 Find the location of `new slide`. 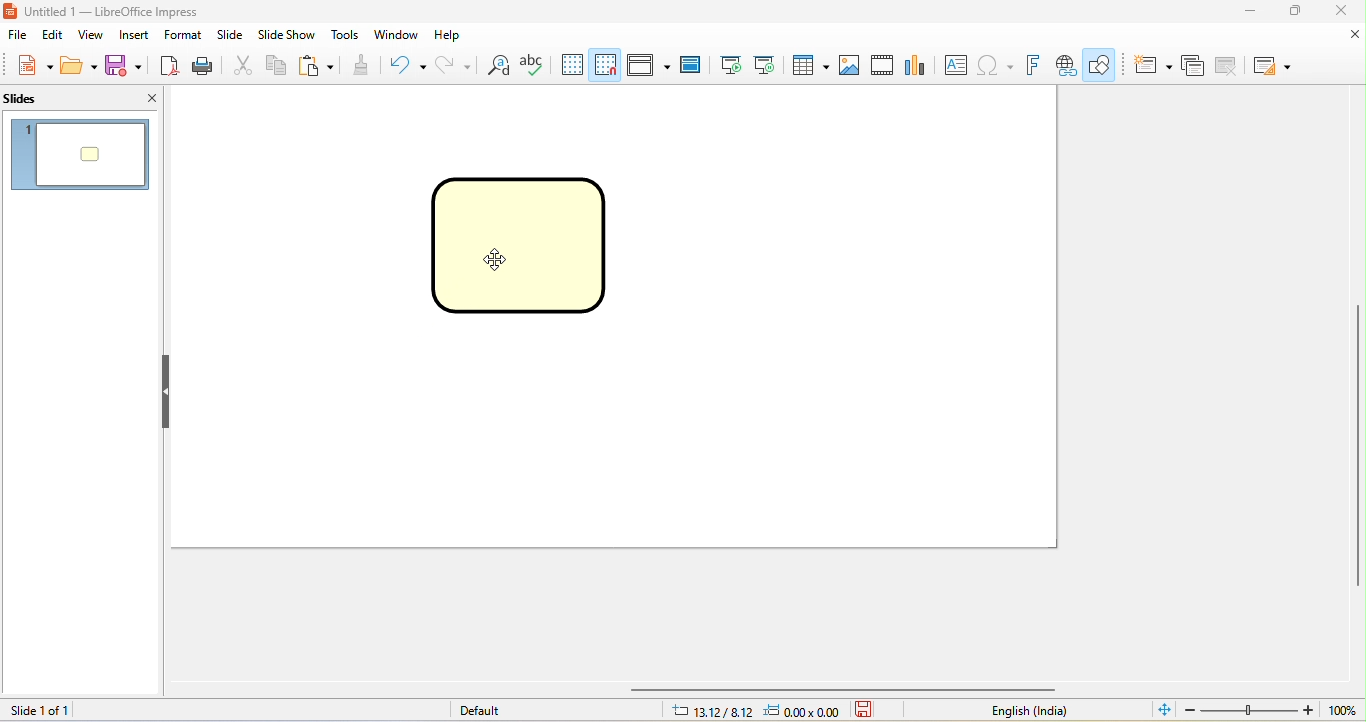

new slide is located at coordinates (1153, 64).